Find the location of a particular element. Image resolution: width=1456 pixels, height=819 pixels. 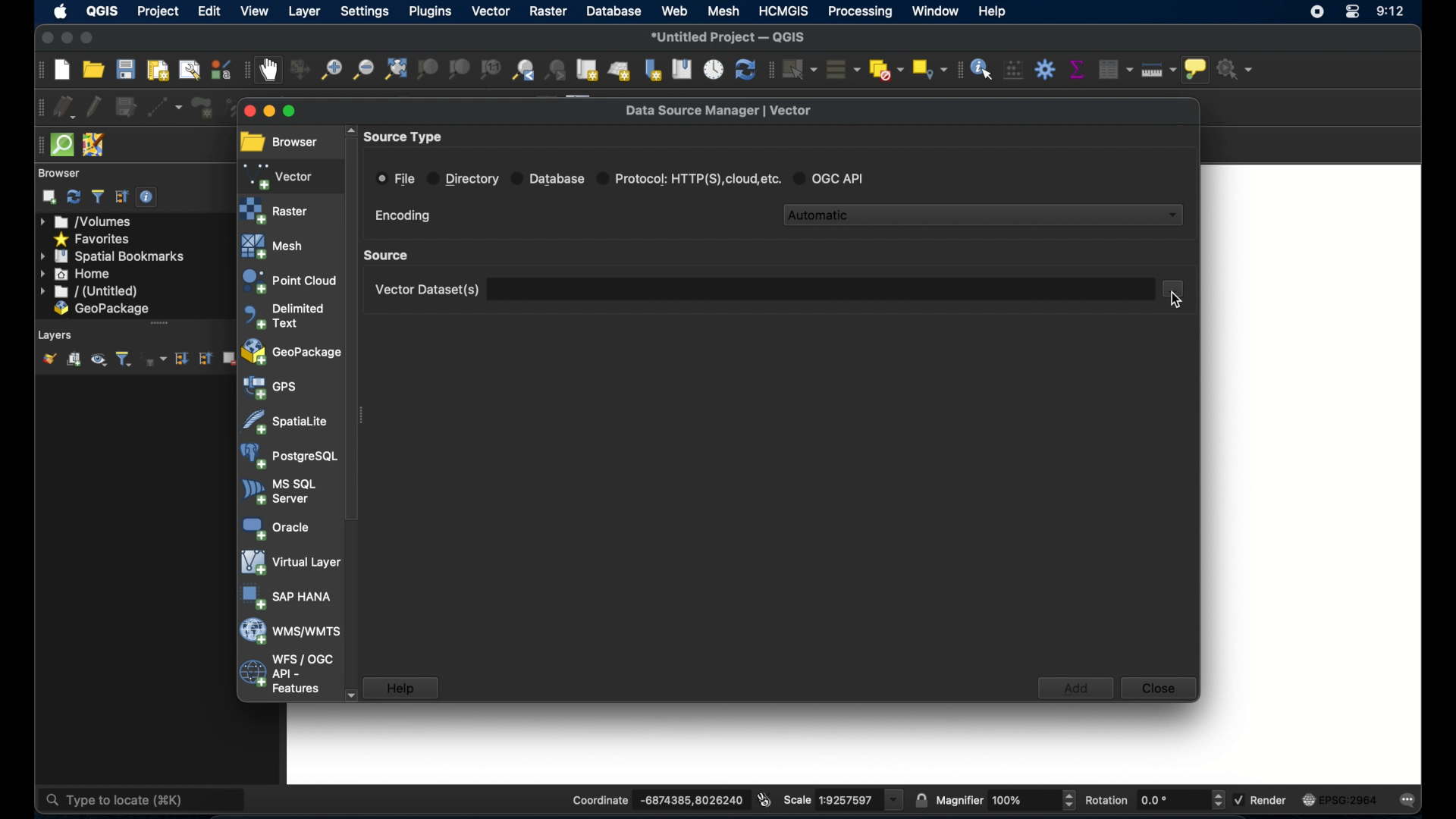

pan map to selection is located at coordinates (300, 70).